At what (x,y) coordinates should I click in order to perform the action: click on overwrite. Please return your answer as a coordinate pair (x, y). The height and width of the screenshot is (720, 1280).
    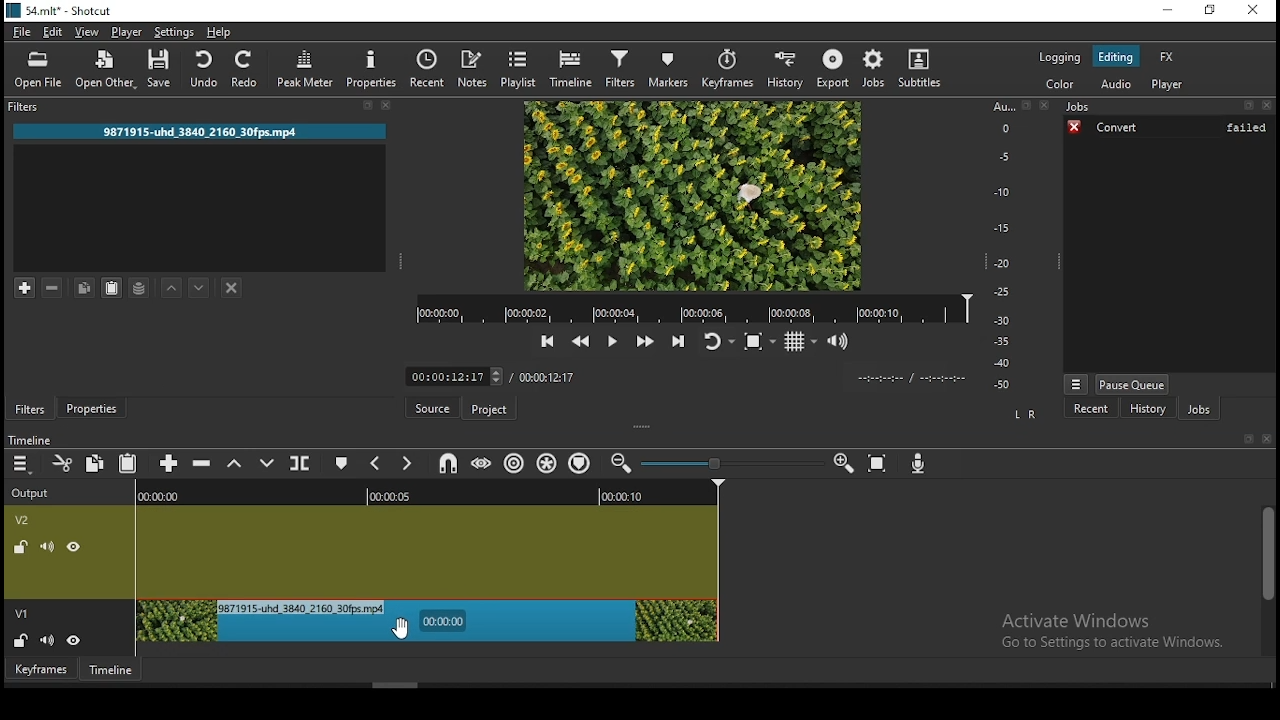
    Looking at the image, I should click on (267, 461).